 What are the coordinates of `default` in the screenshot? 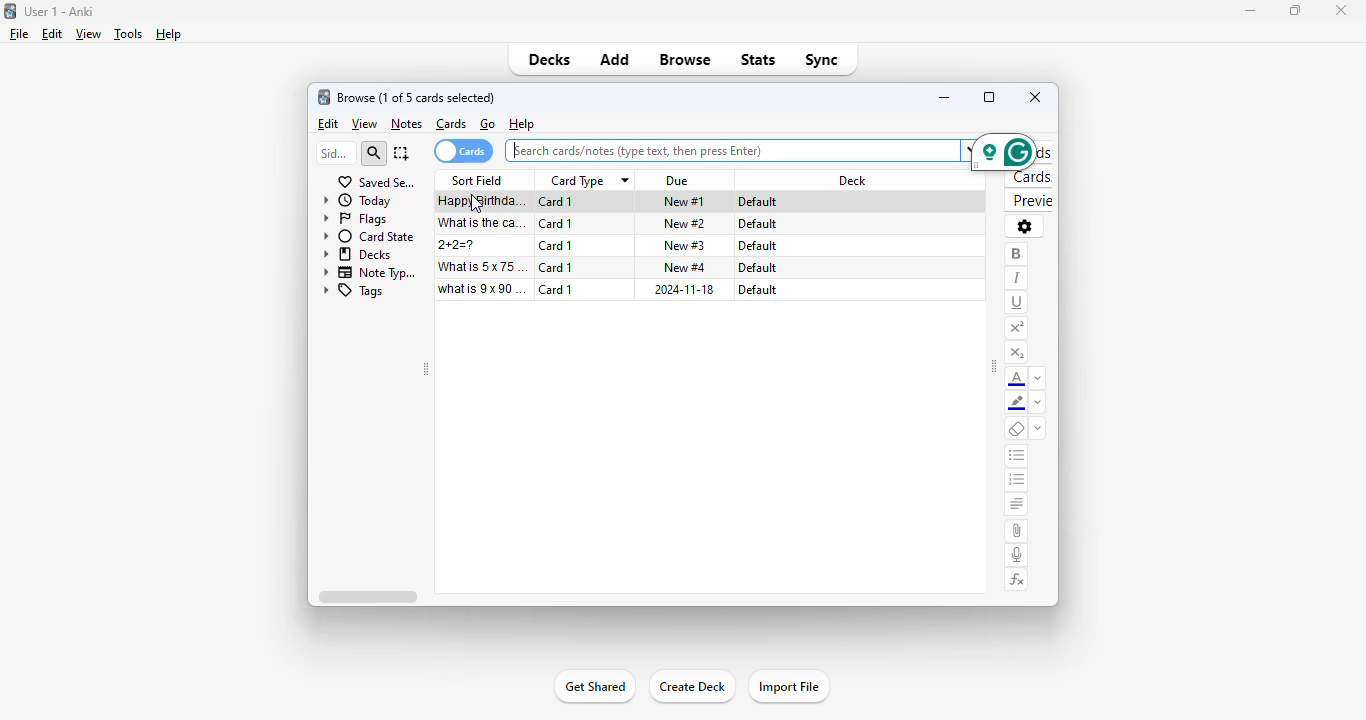 It's located at (757, 246).